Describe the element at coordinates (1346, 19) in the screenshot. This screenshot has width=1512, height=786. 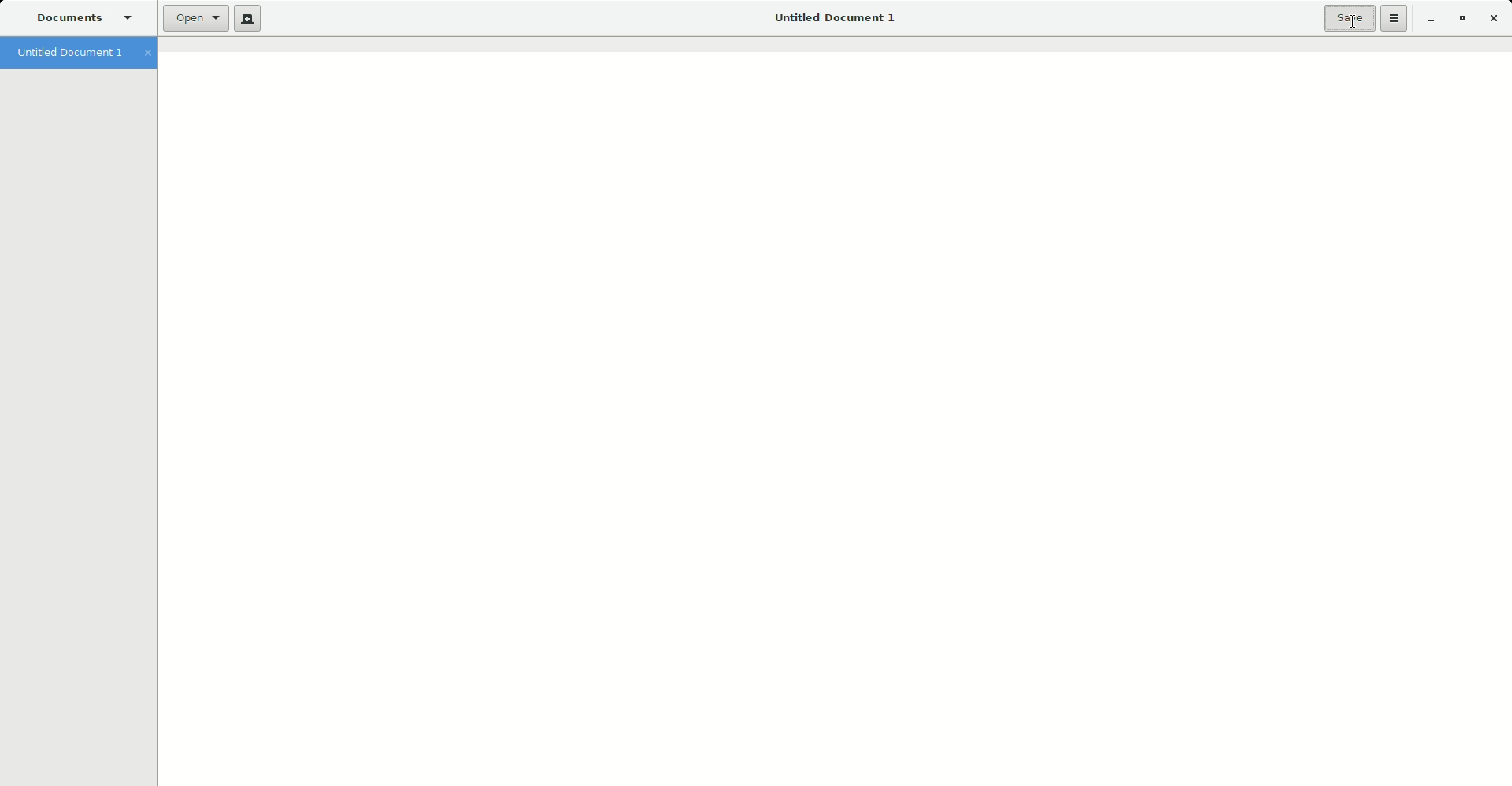
I see `Save` at that location.